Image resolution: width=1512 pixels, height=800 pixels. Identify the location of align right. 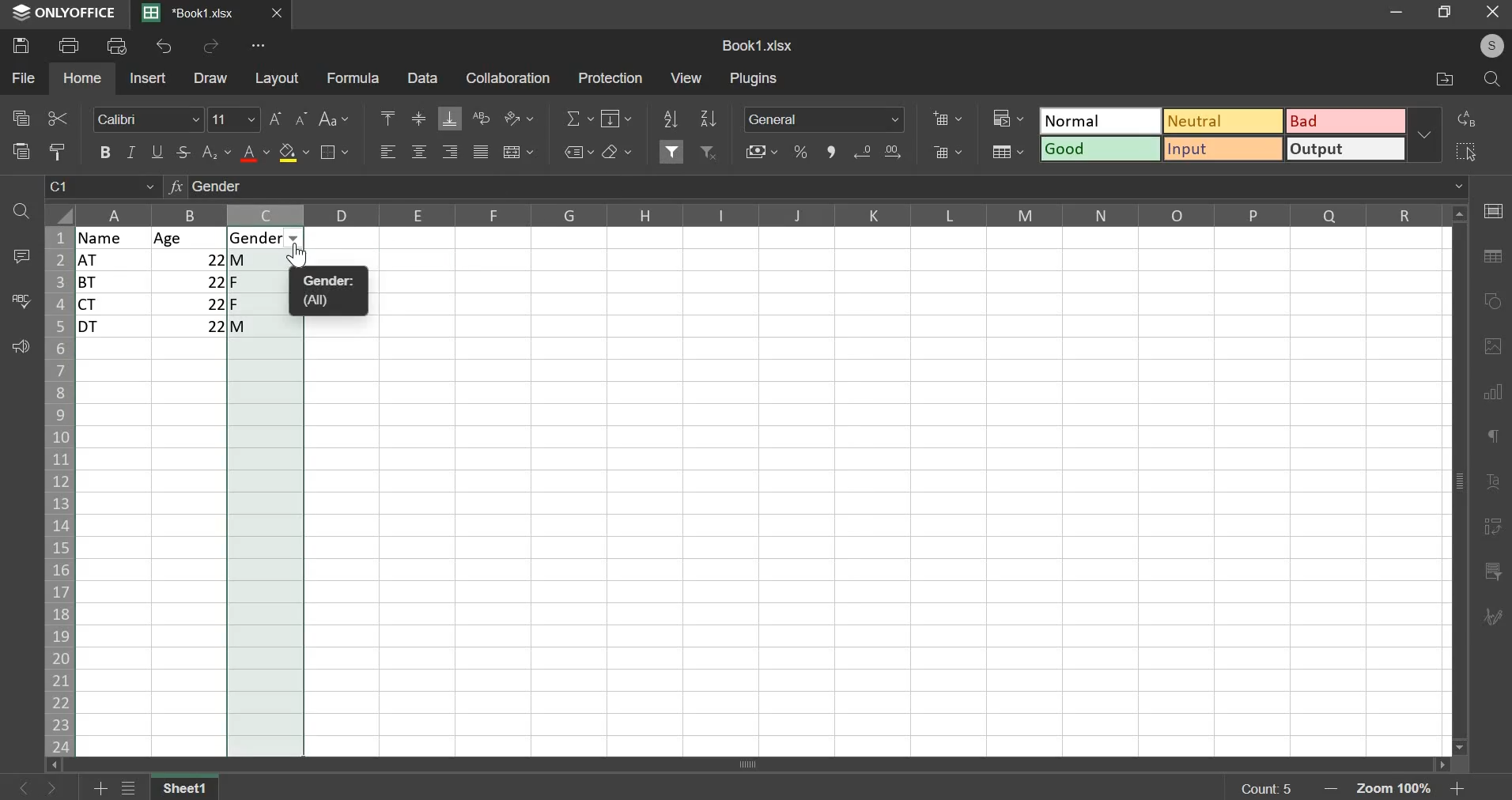
(449, 152).